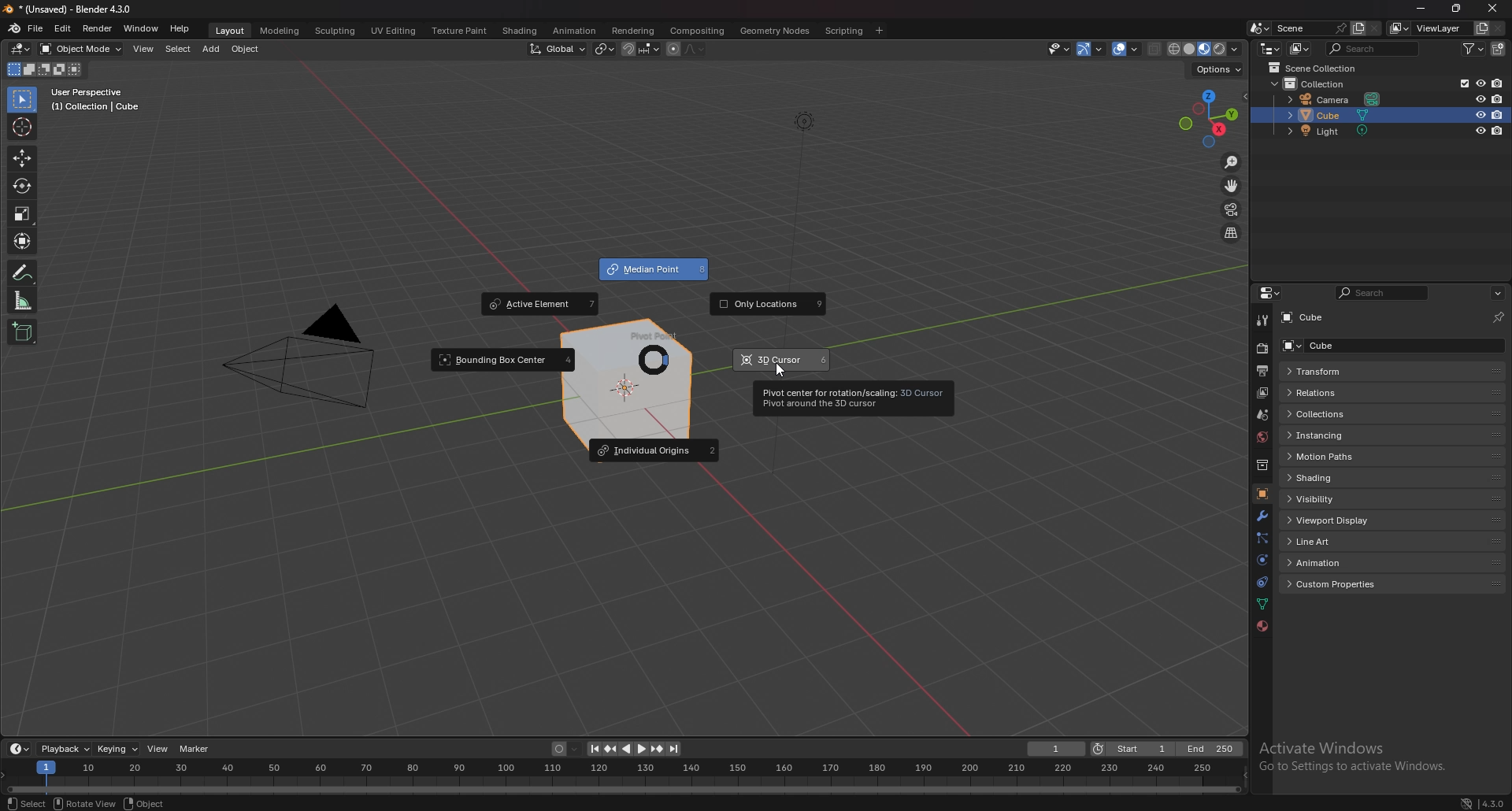  Describe the element at coordinates (1330, 115) in the screenshot. I see `cube` at that location.